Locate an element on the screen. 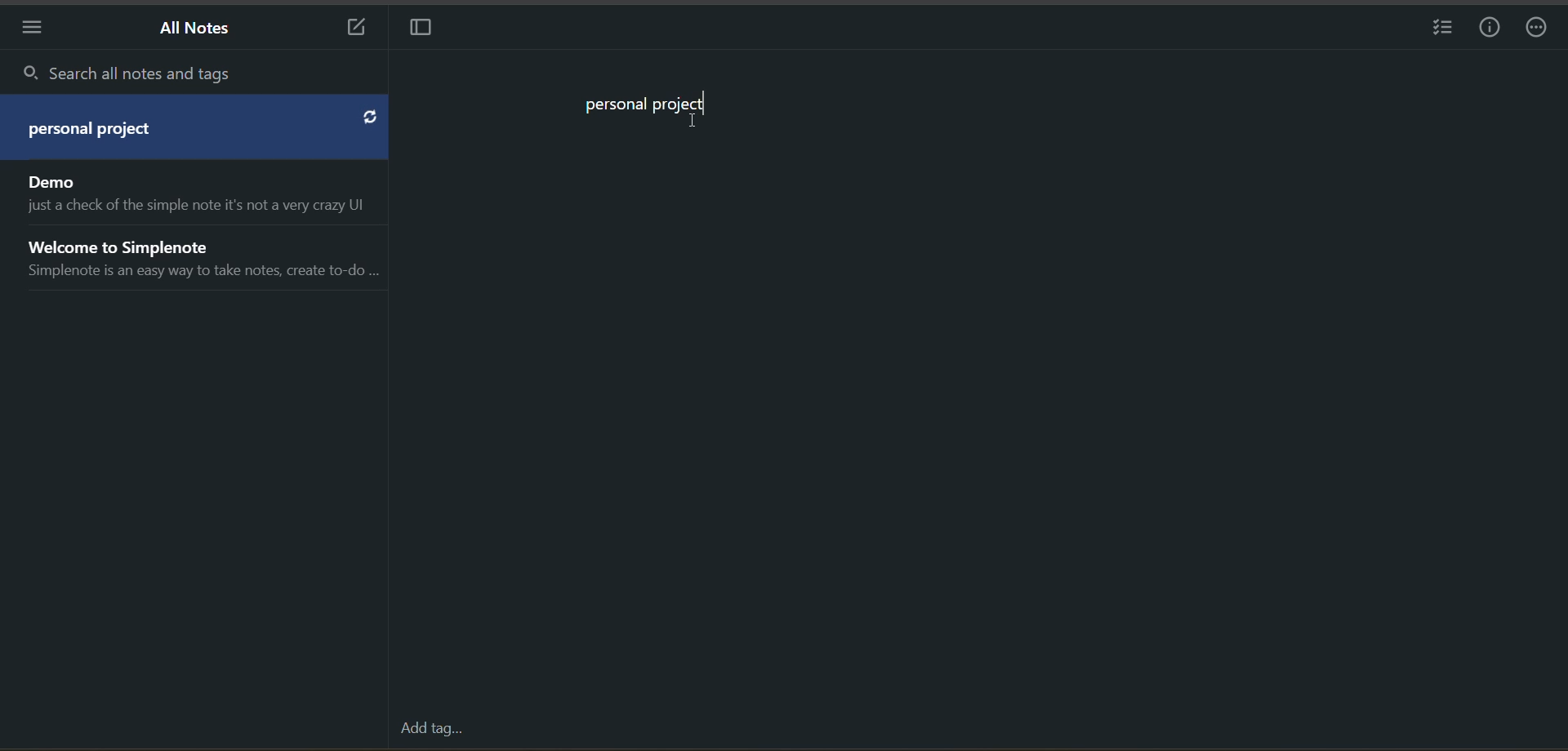  actions is located at coordinates (1540, 29).